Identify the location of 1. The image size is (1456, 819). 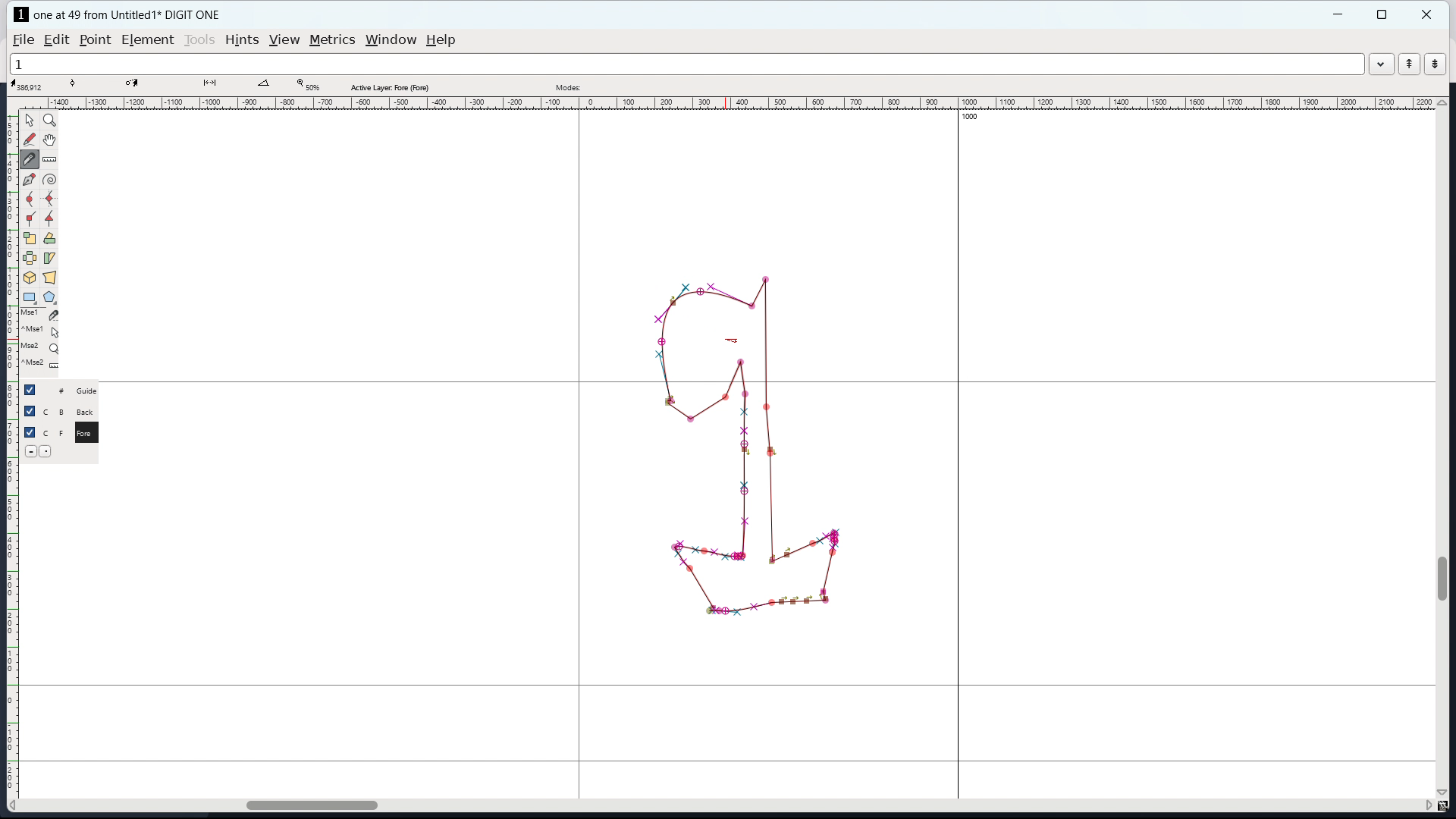
(686, 64).